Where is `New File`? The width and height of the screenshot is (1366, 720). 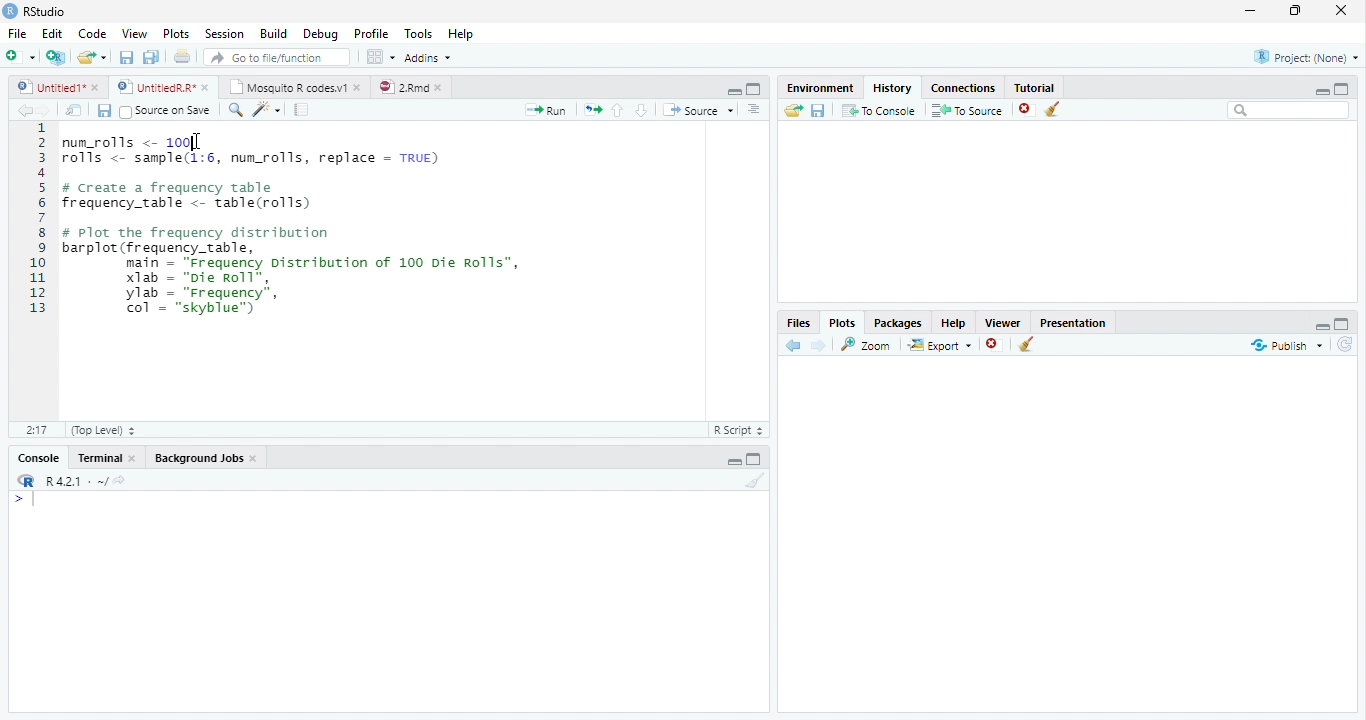
New File is located at coordinates (20, 56).